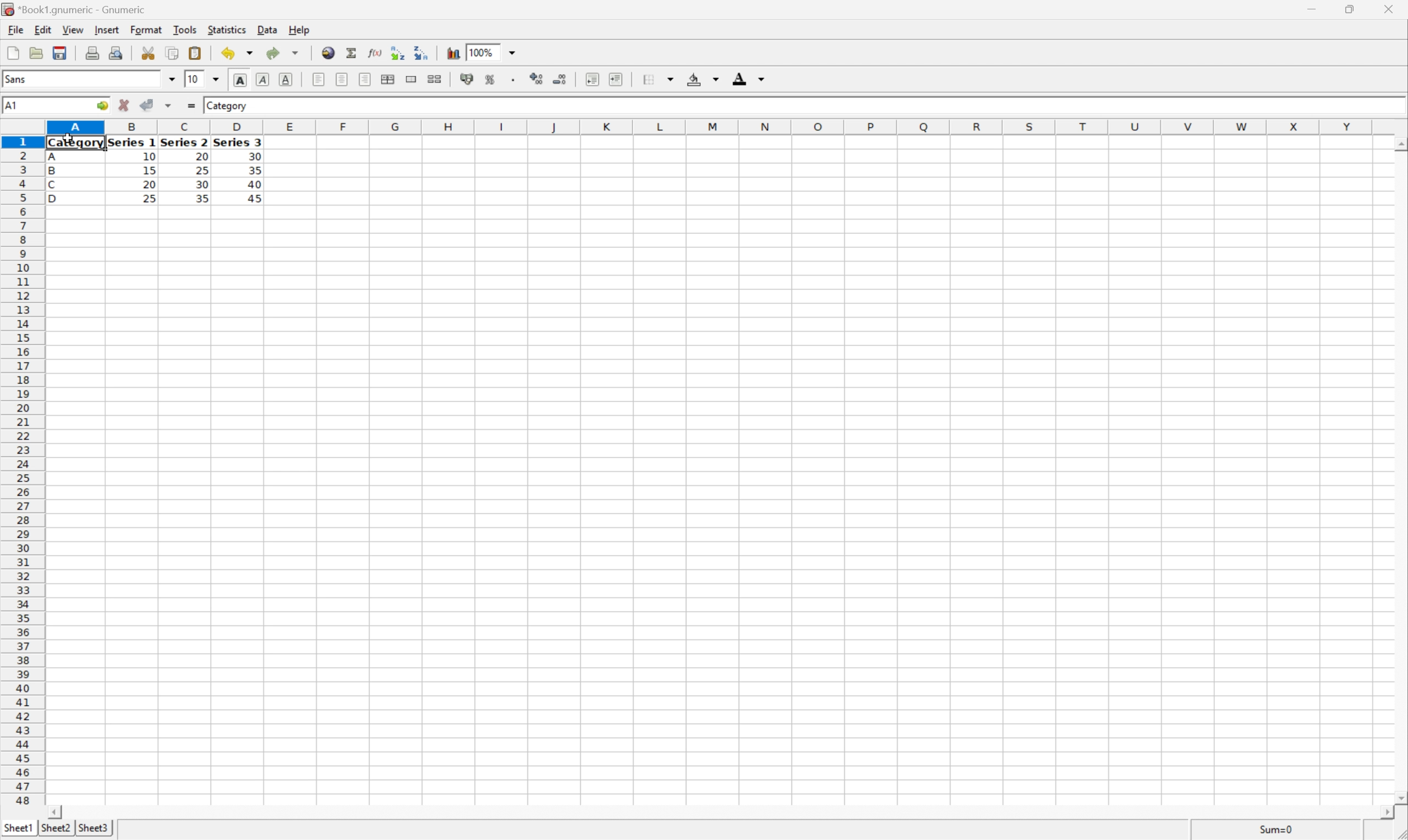 Image resolution: width=1408 pixels, height=840 pixels. Describe the element at coordinates (173, 52) in the screenshot. I see `Copy selection` at that location.